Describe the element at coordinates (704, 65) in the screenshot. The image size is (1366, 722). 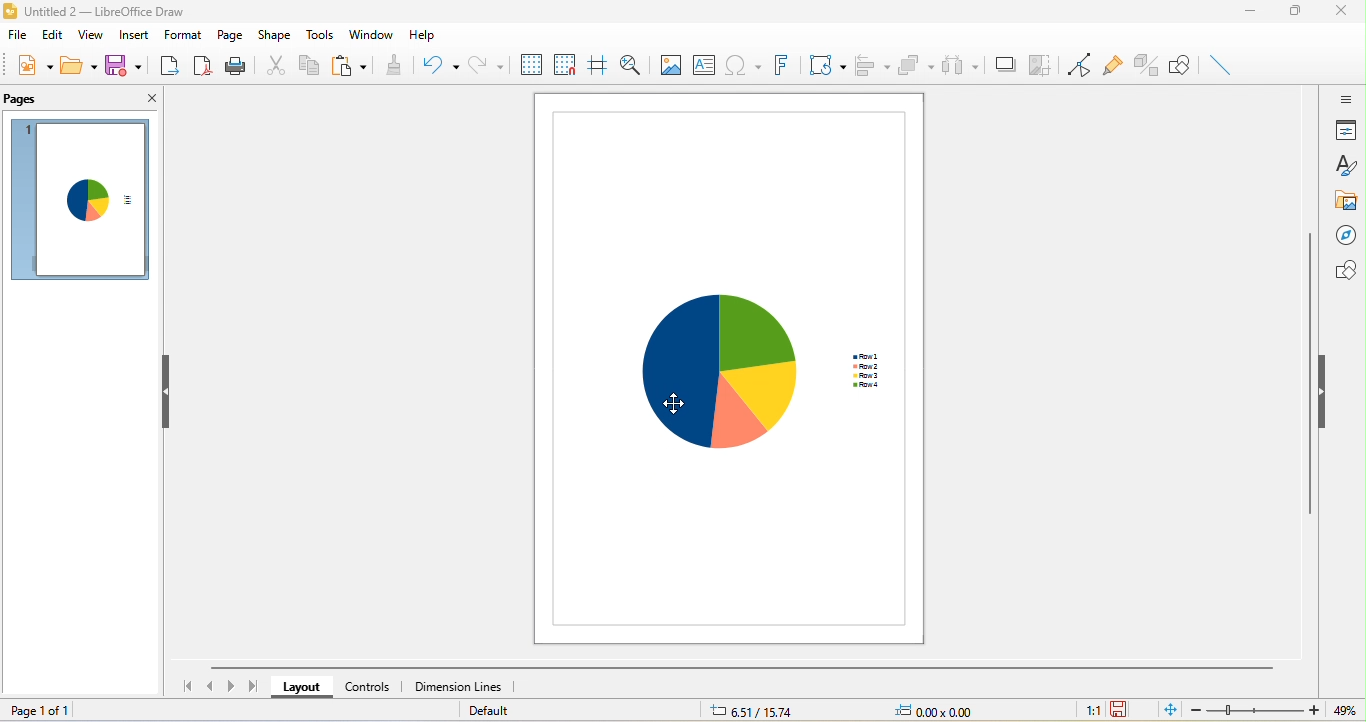
I see `textbox` at that location.